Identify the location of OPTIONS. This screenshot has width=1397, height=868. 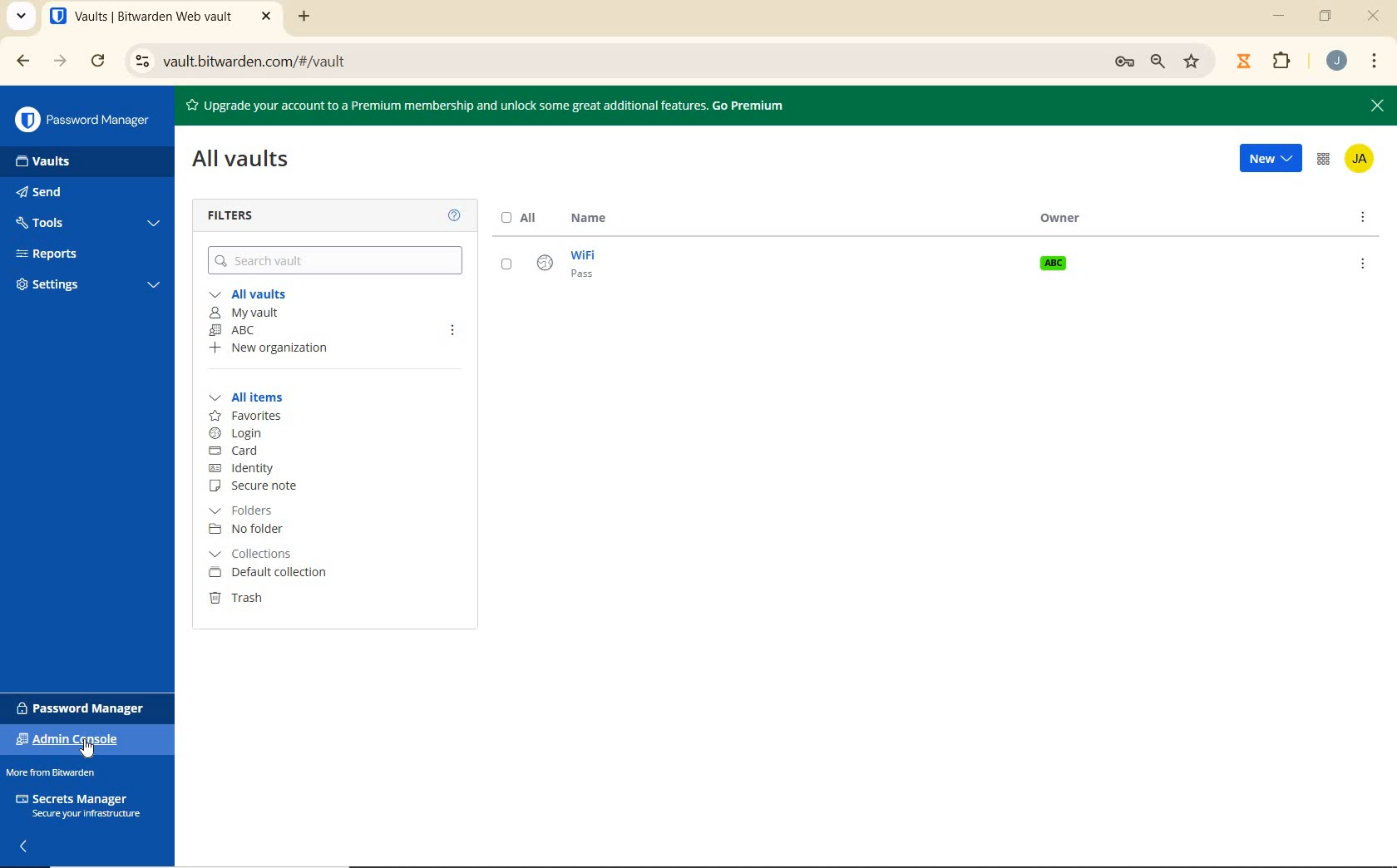
(1360, 264).